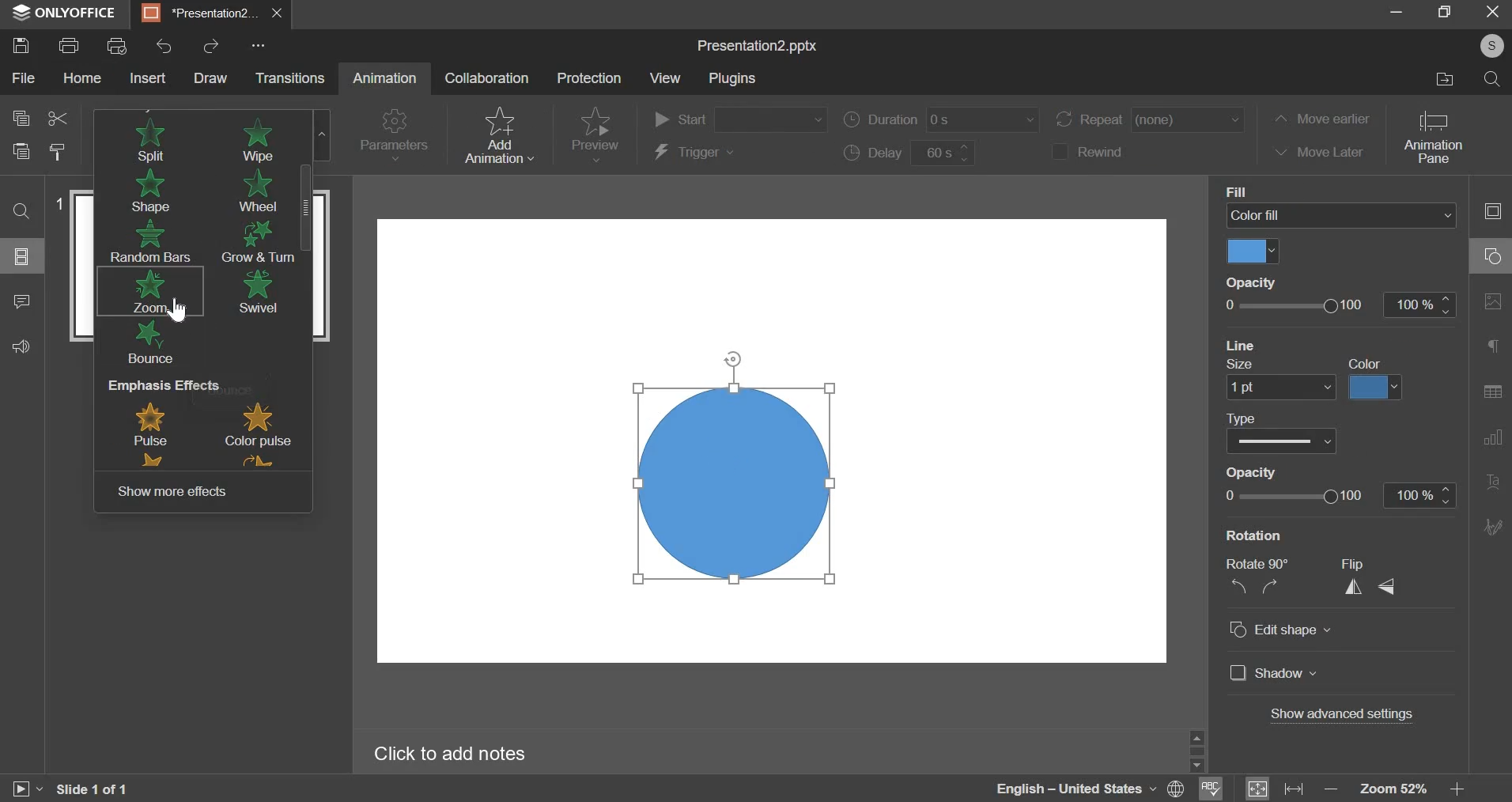 The height and width of the screenshot is (802, 1512). What do you see at coordinates (1087, 152) in the screenshot?
I see `rewind` at bounding box center [1087, 152].